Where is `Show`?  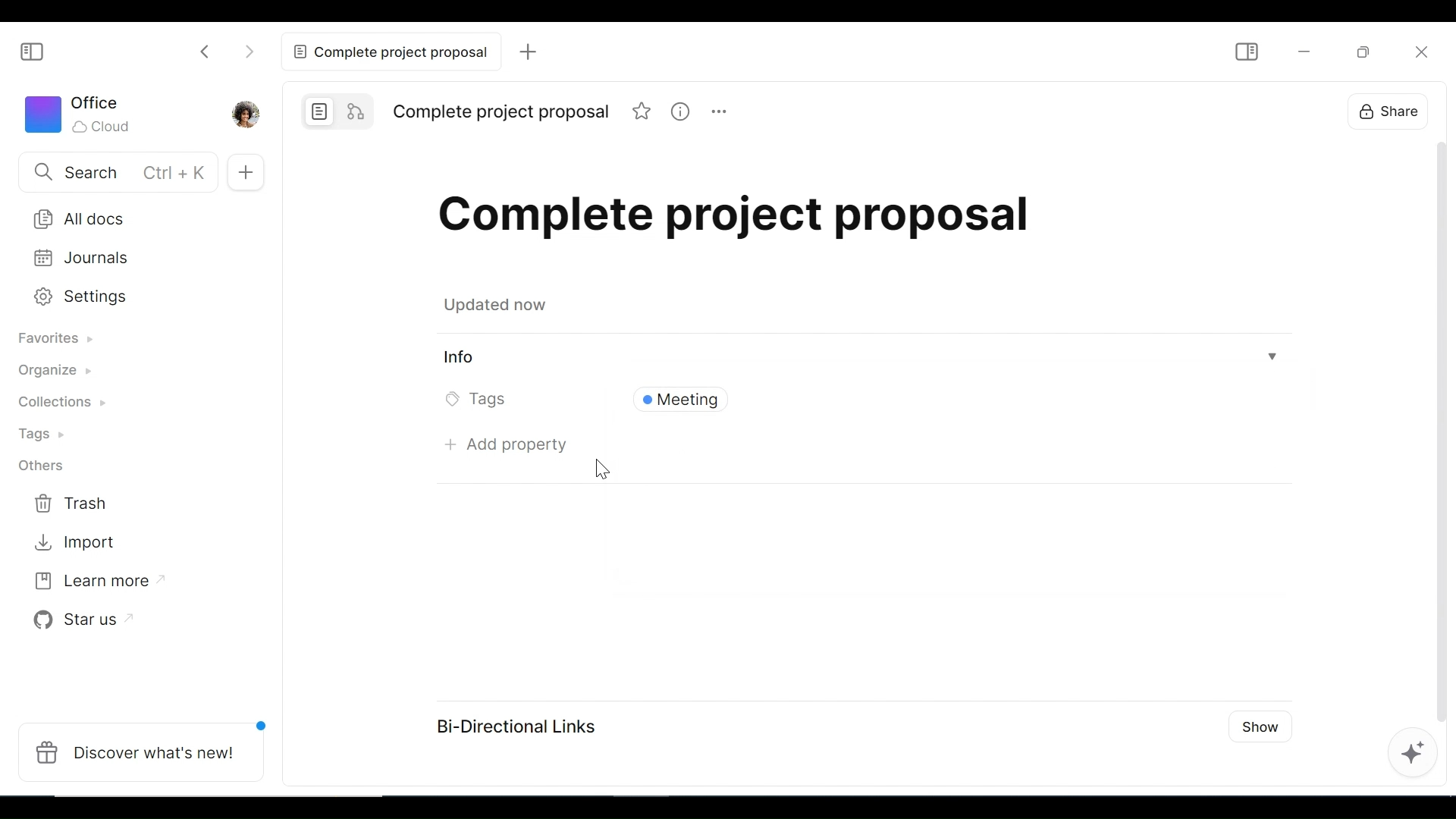
Show is located at coordinates (1261, 728).